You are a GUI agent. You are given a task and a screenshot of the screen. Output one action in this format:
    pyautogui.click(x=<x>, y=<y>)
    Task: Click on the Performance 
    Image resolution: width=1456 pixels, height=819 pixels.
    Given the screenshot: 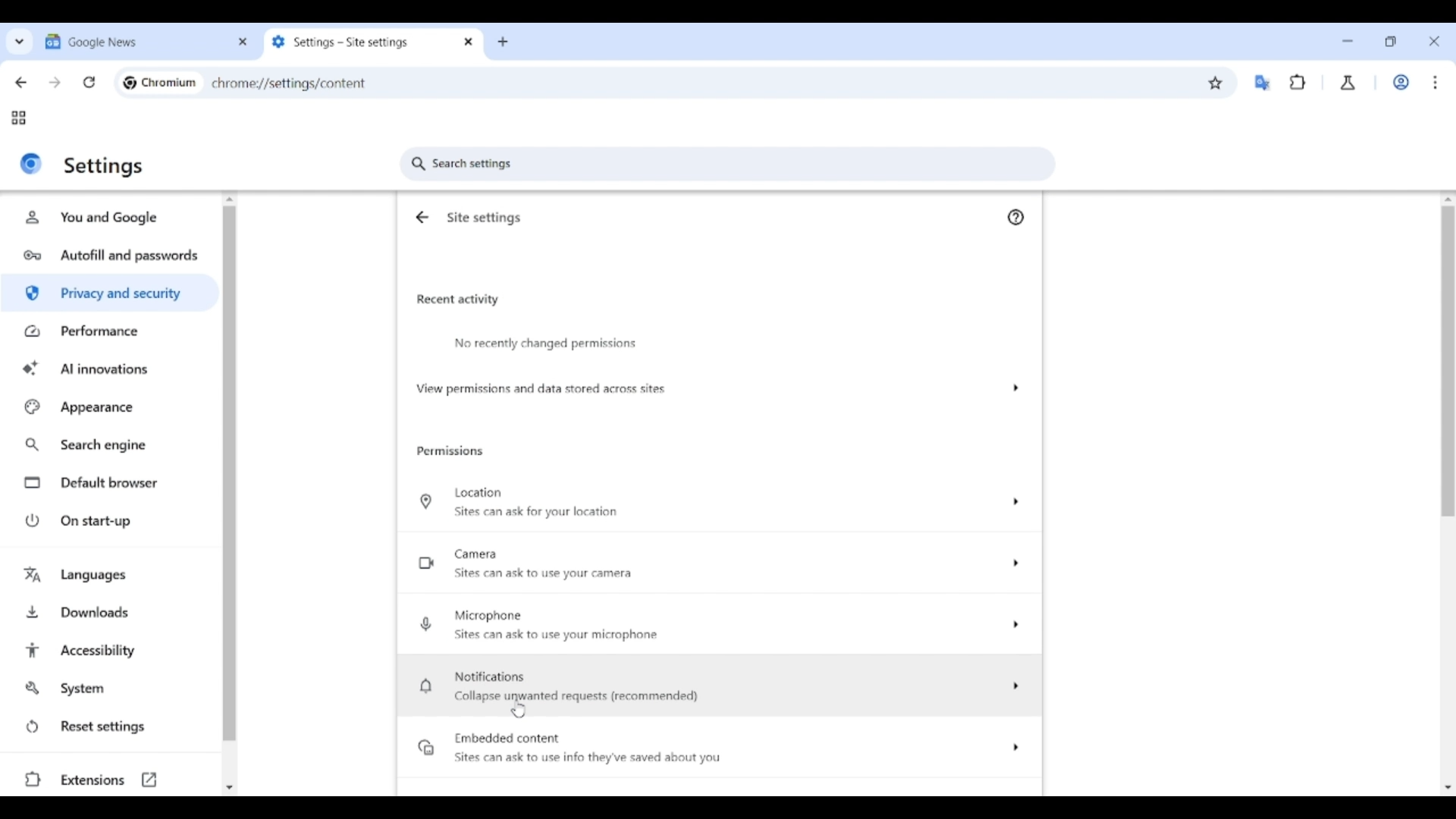 What is the action you would take?
    pyautogui.click(x=109, y=331)
    